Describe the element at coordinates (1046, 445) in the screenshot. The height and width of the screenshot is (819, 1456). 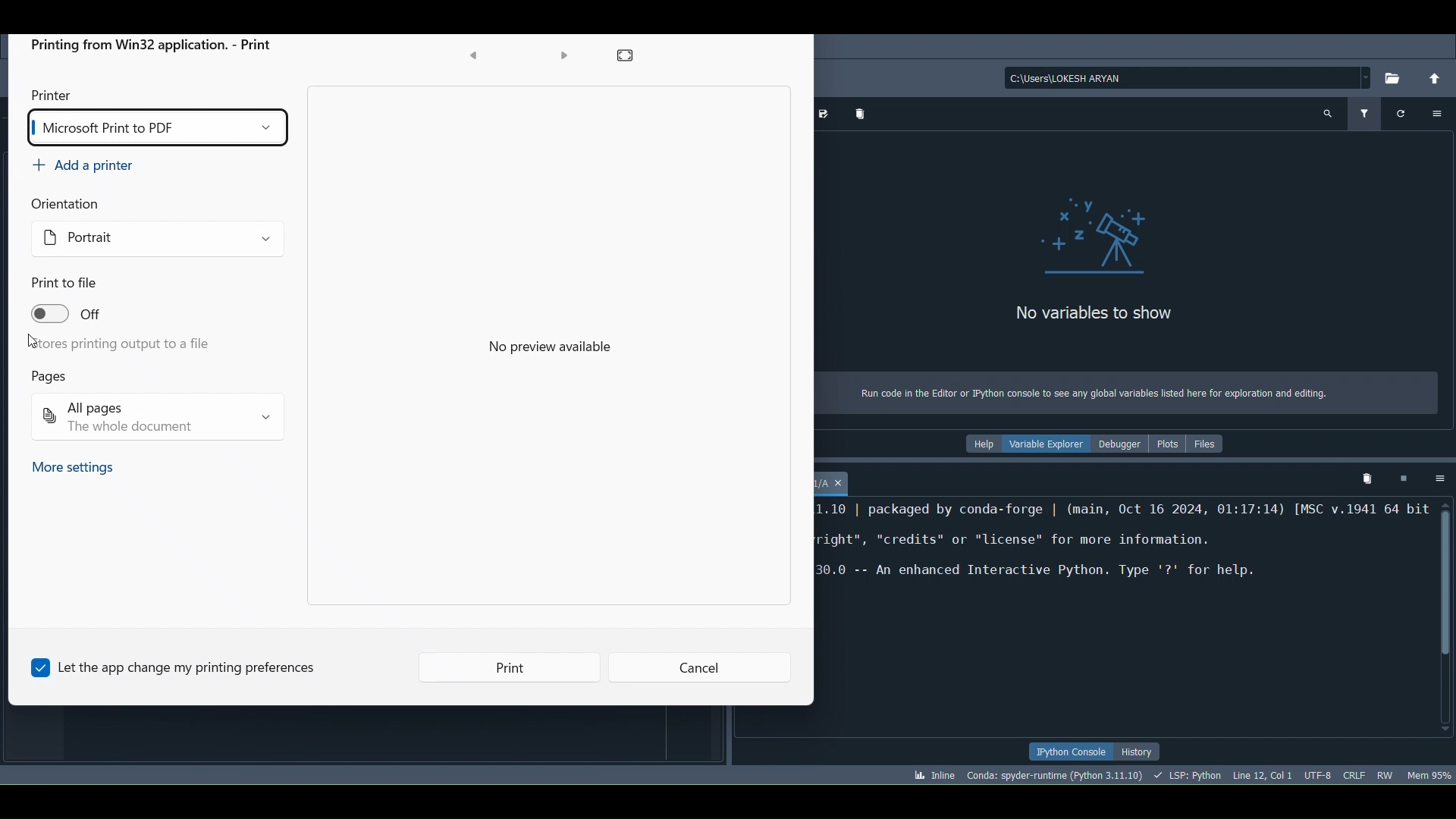
I see `Variable explorer` at that location.